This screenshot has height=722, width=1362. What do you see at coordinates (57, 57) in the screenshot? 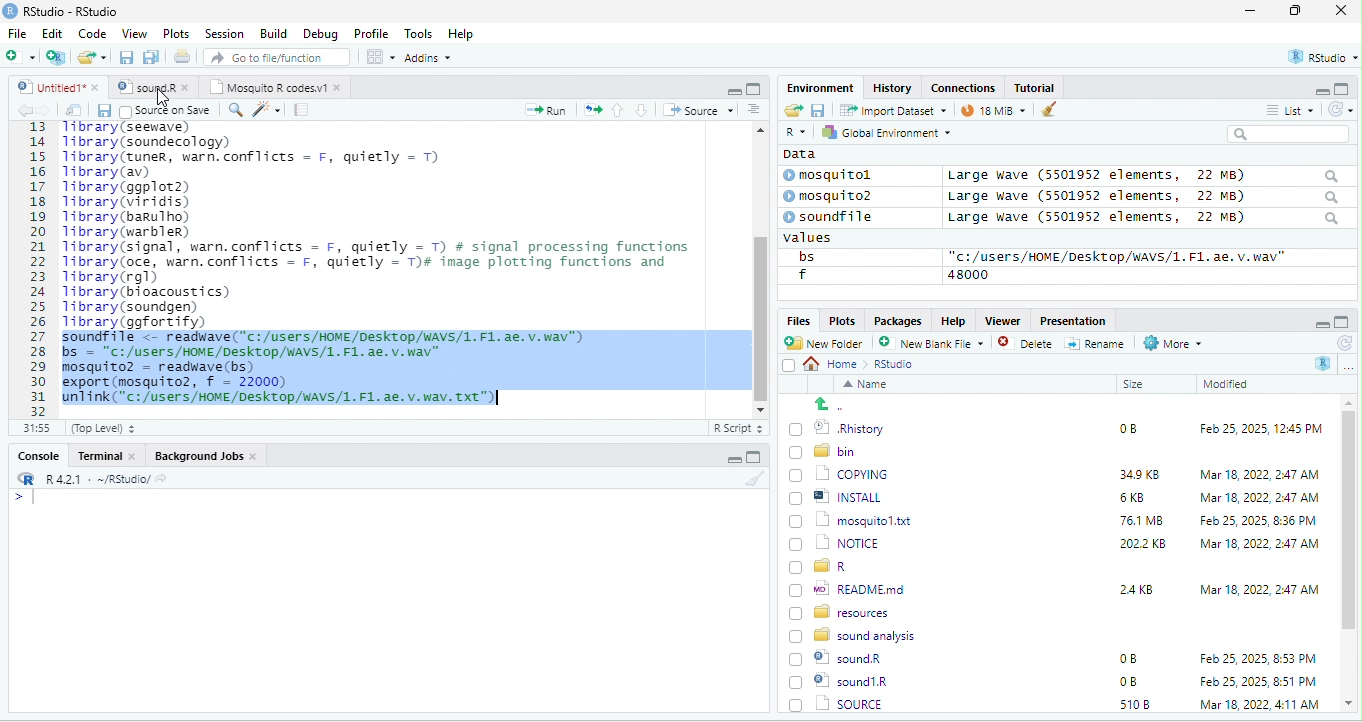
I see `new project` at bounding box center [57, 57].